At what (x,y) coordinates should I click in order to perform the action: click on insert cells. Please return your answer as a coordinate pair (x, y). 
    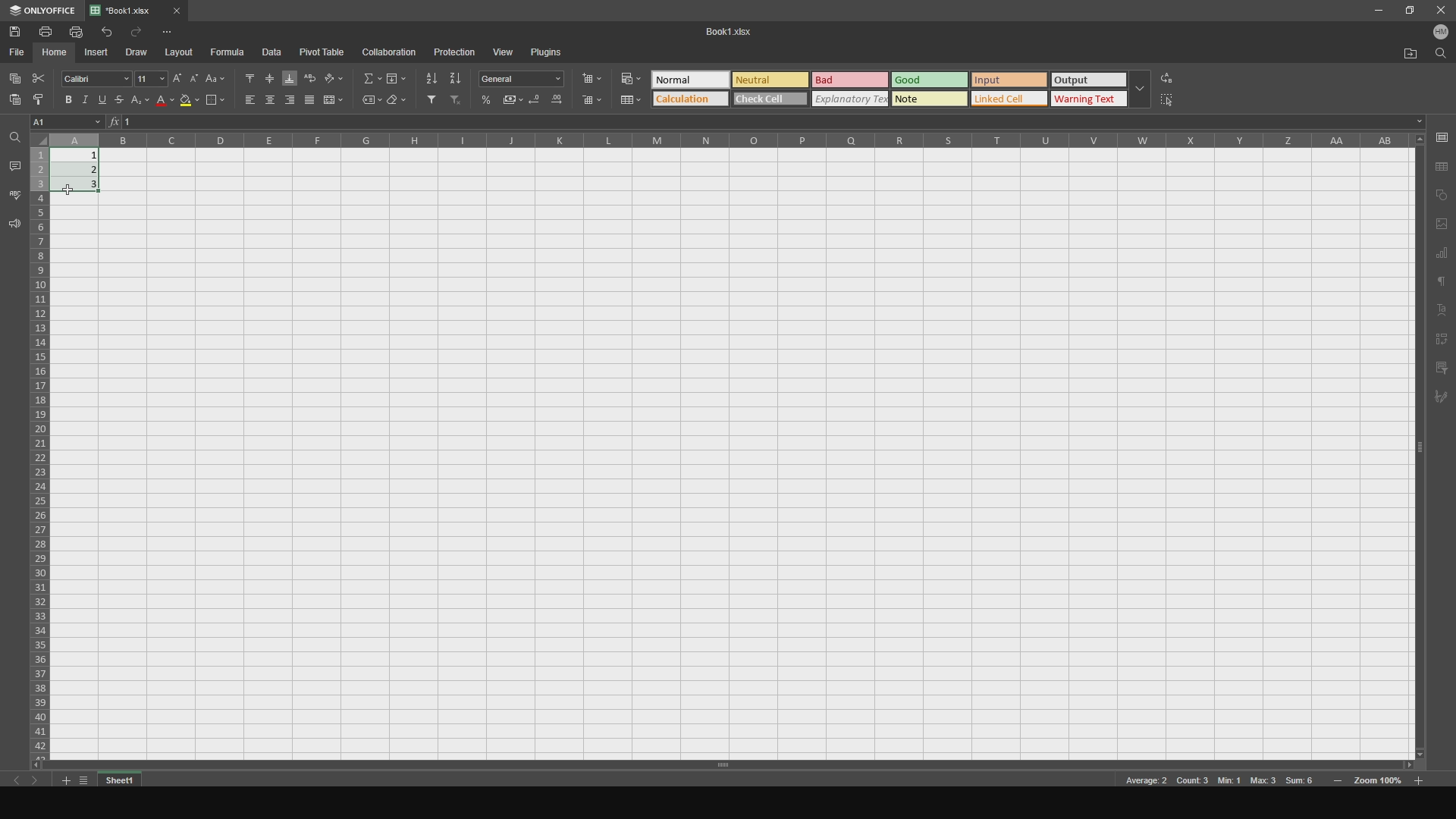
    Looking at the image, I should click on (596, 79).